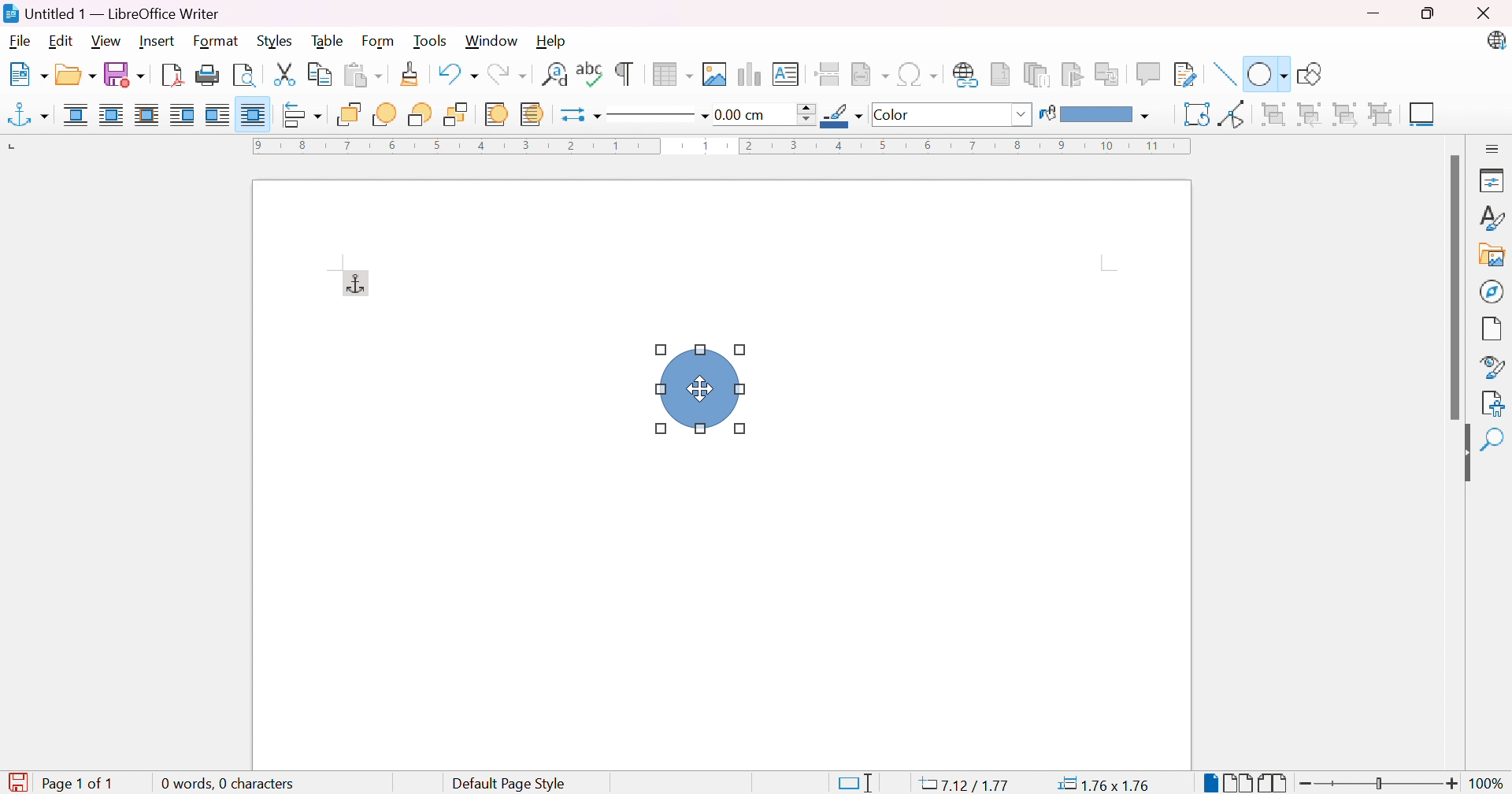 This screenshot has width=1512, height=794. What do you see at coordinates (106, 40) in the screenshot?
I see `View` at bounding box center [106, 40].